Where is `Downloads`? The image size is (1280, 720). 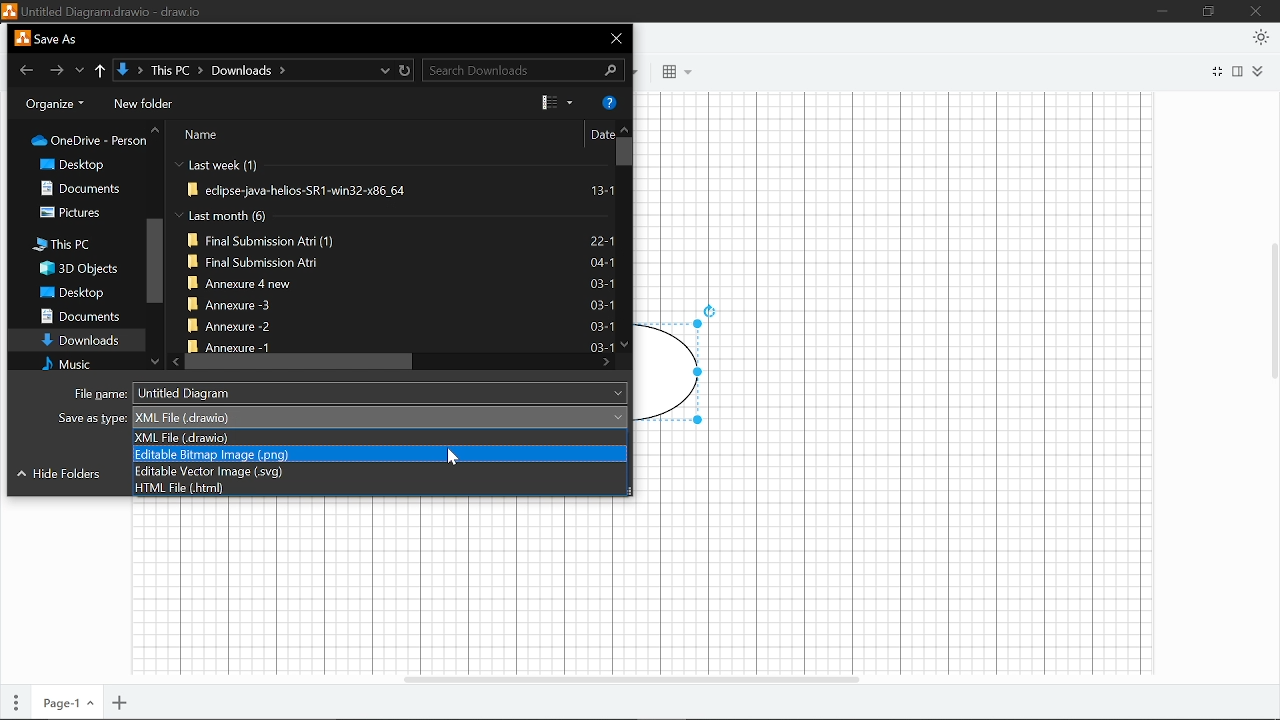
Downloads is located at coordinates (80, 341).